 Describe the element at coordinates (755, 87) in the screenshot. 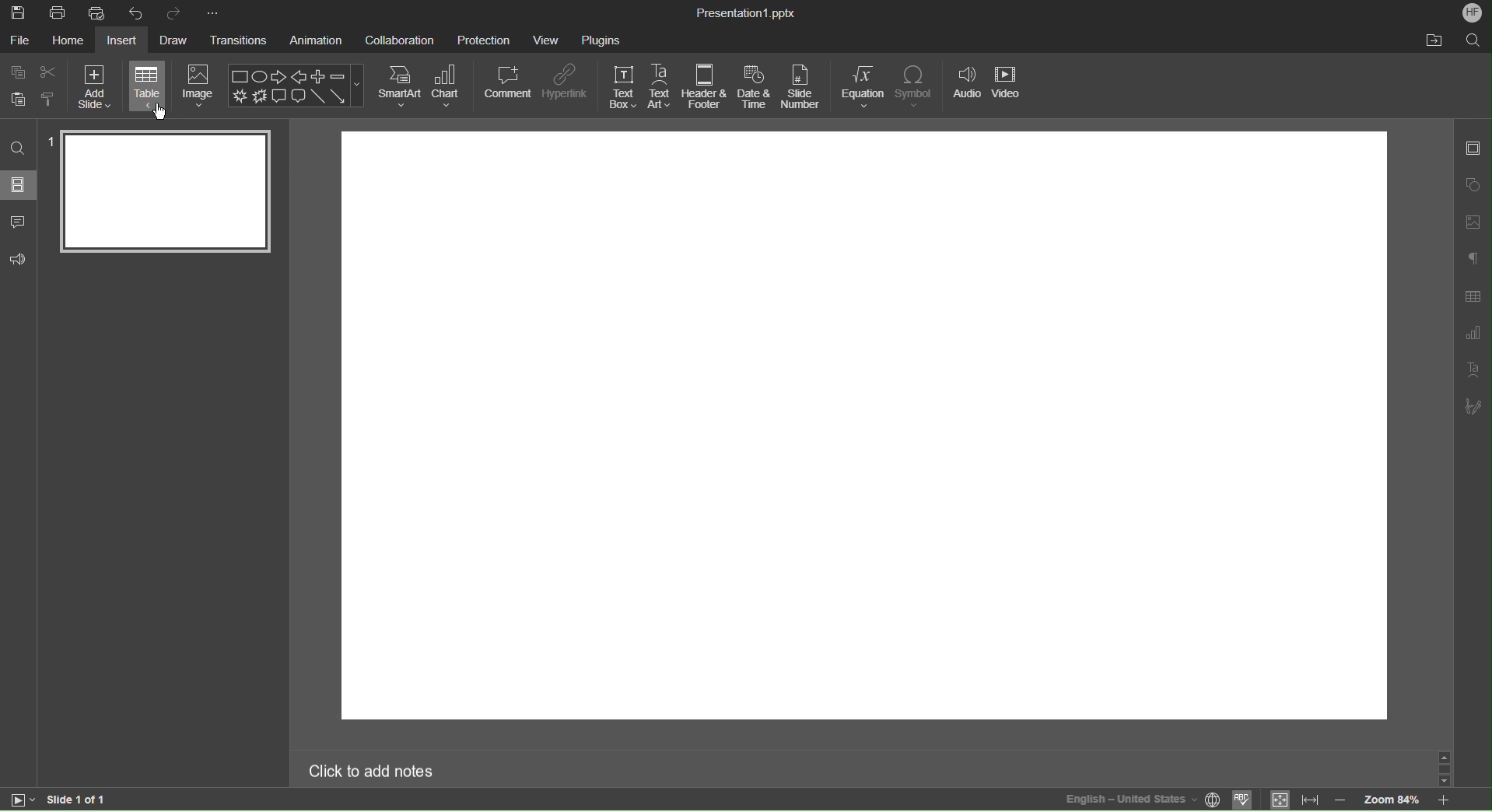

I see `Date & Time` at that location.